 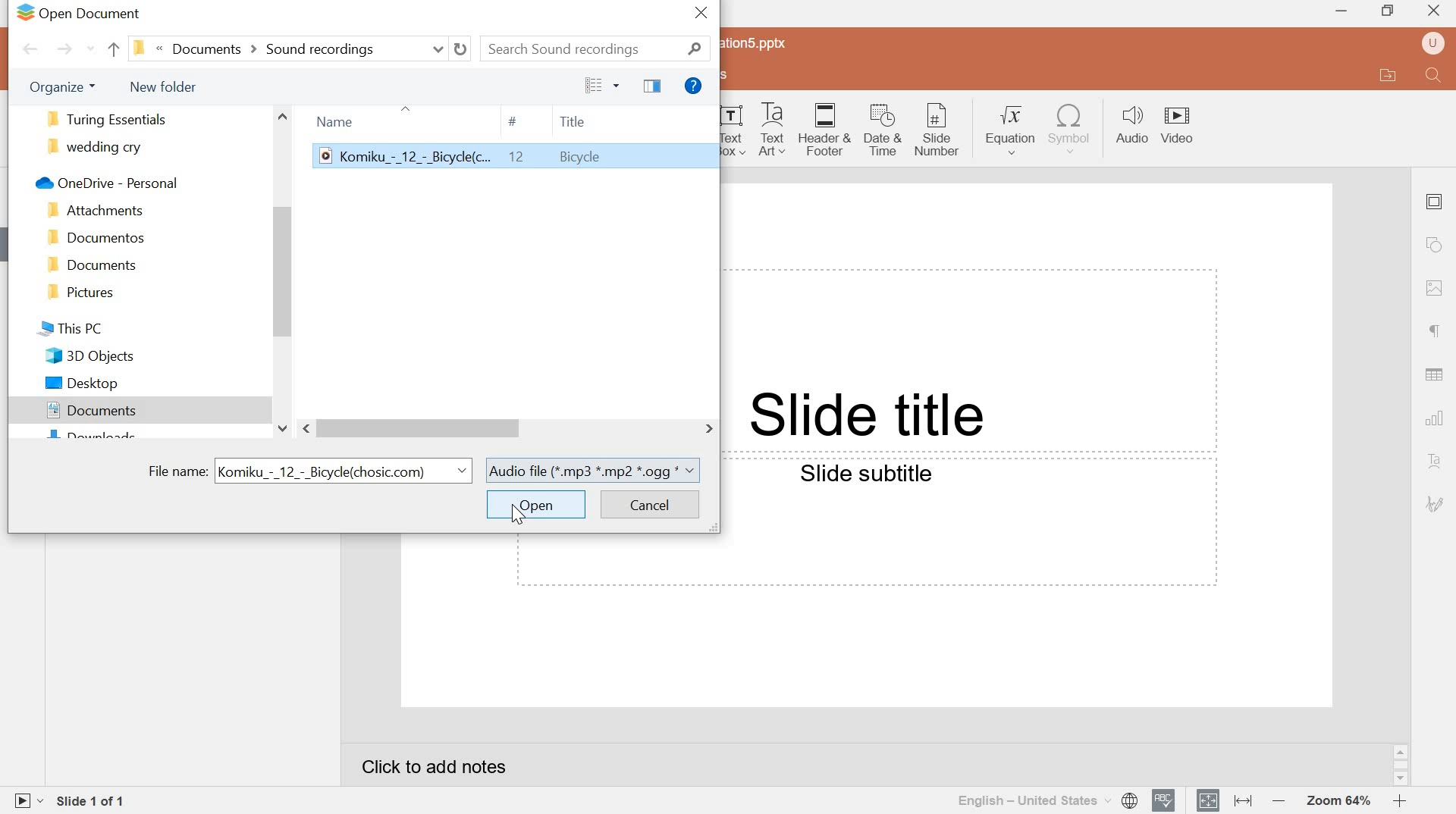 What do you see at coordinates (575, 119) in the screenshot?
I see `title` at bounding box center [575, 119].